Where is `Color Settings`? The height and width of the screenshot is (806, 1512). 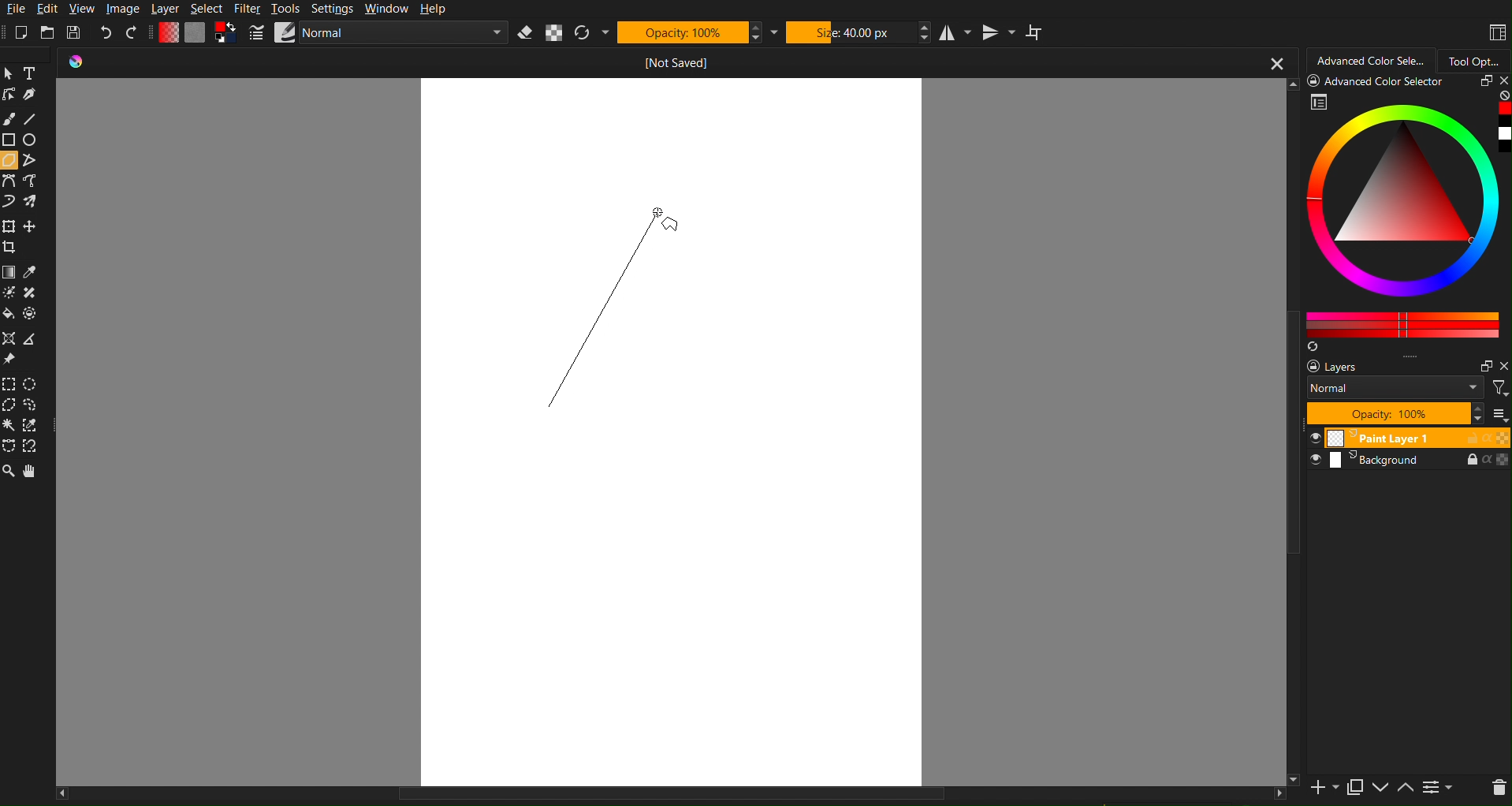 Color Settings is located at coordinates (196, 32).